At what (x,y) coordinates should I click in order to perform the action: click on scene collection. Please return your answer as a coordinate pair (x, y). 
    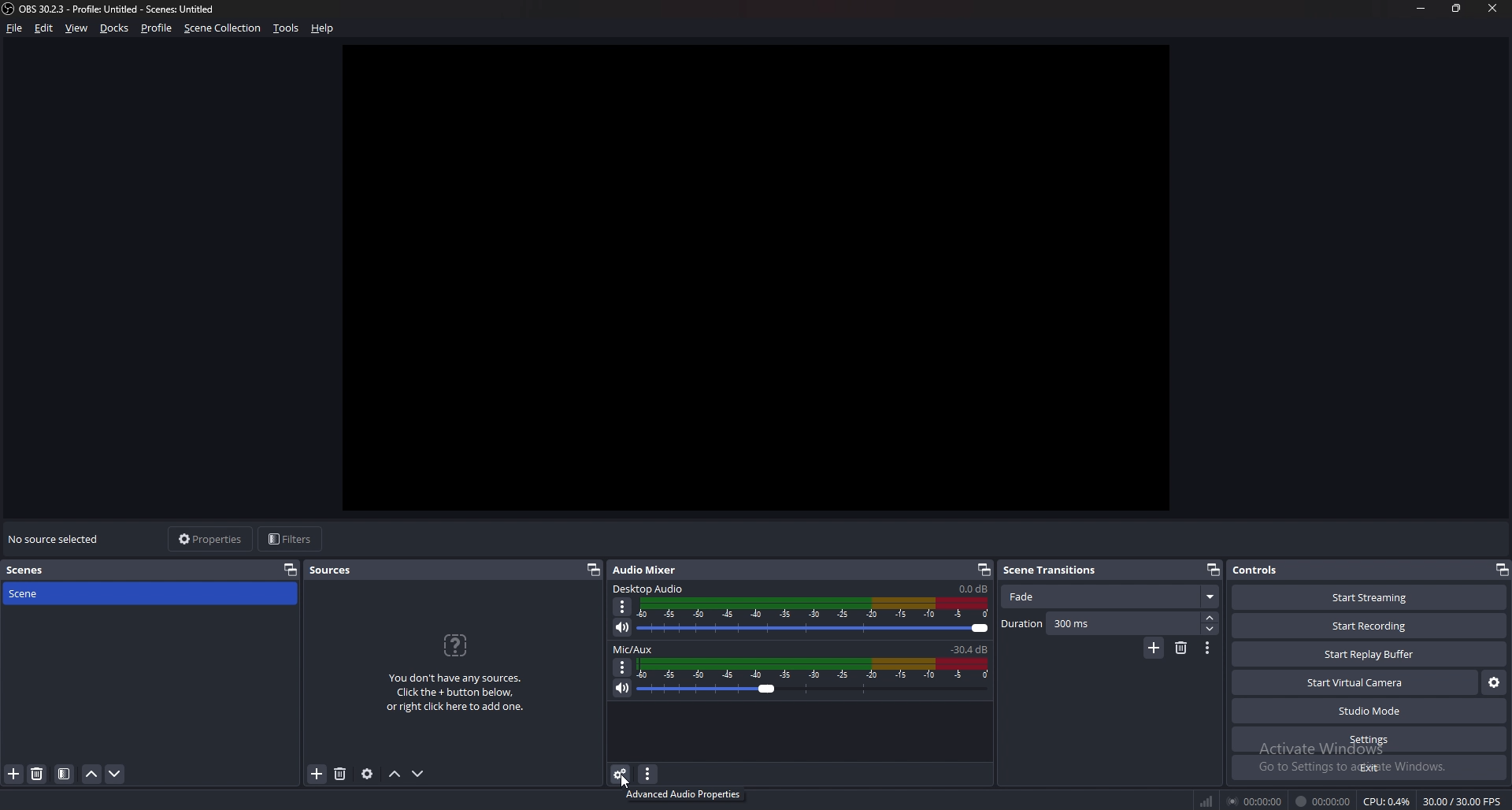
    Looking at the image, I should click on (223, 28).